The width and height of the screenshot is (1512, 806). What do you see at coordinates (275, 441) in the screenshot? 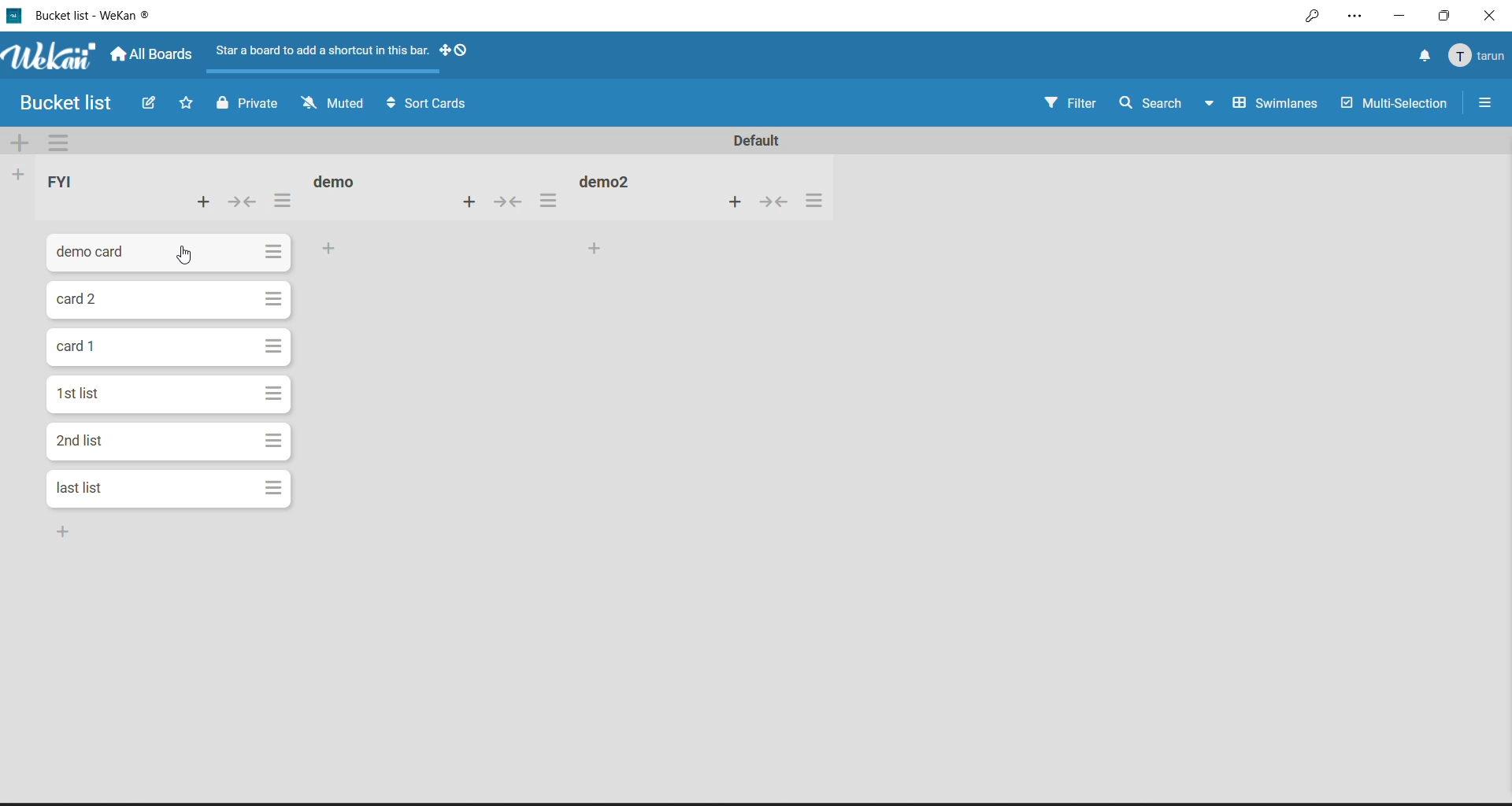
I see `card actions` at bounding box center [275, 441].